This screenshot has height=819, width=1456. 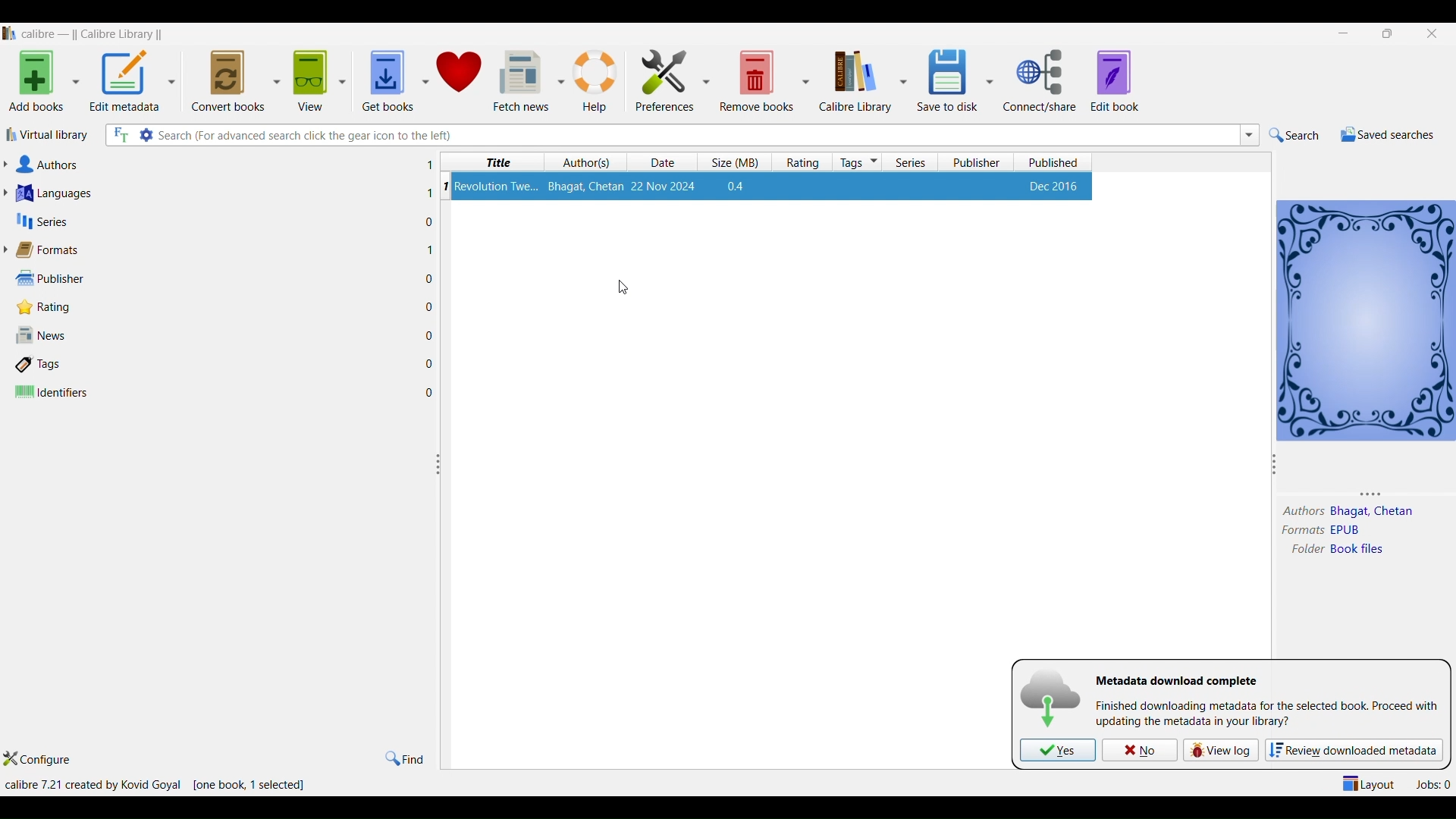 What do you see at coordinates (444, 186) in the screenshot?
I see `serial number` at bounding box center [444, 186].